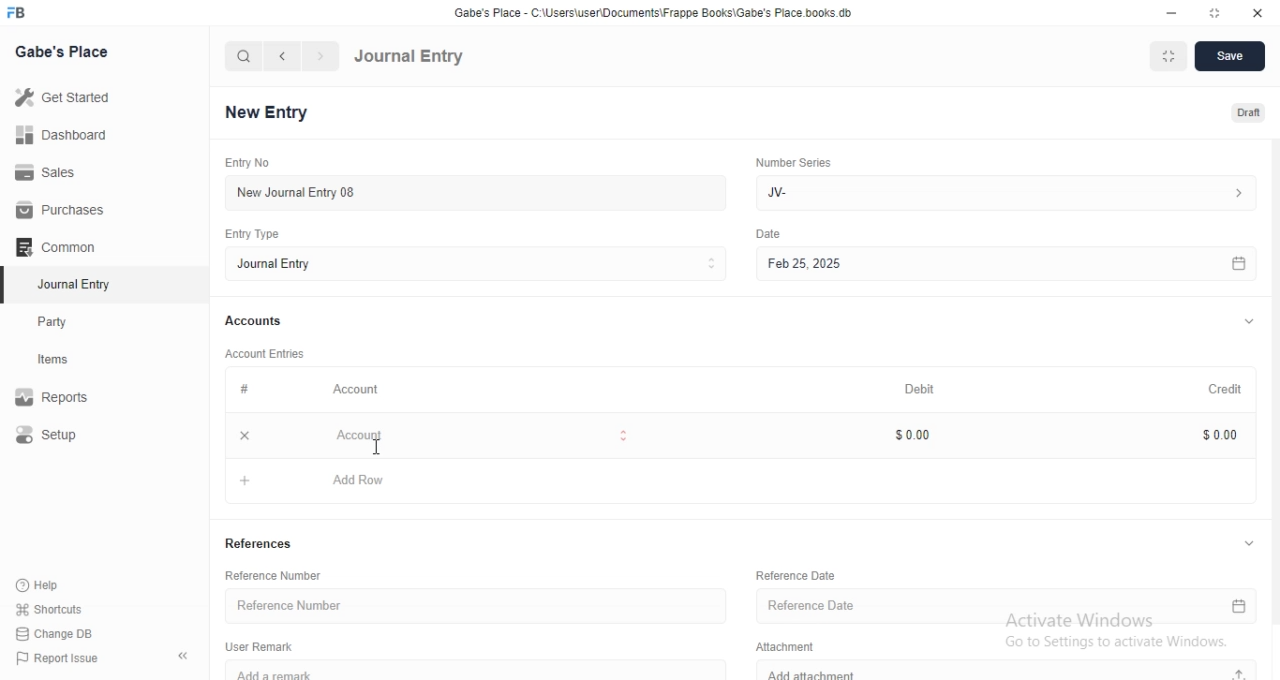 Image resolution: width=1280 pixels, height=680 pixels. What do you see at coordinates (255, 322) in the screenshot?
I see `Accounts` at bounding box center [255, 322].